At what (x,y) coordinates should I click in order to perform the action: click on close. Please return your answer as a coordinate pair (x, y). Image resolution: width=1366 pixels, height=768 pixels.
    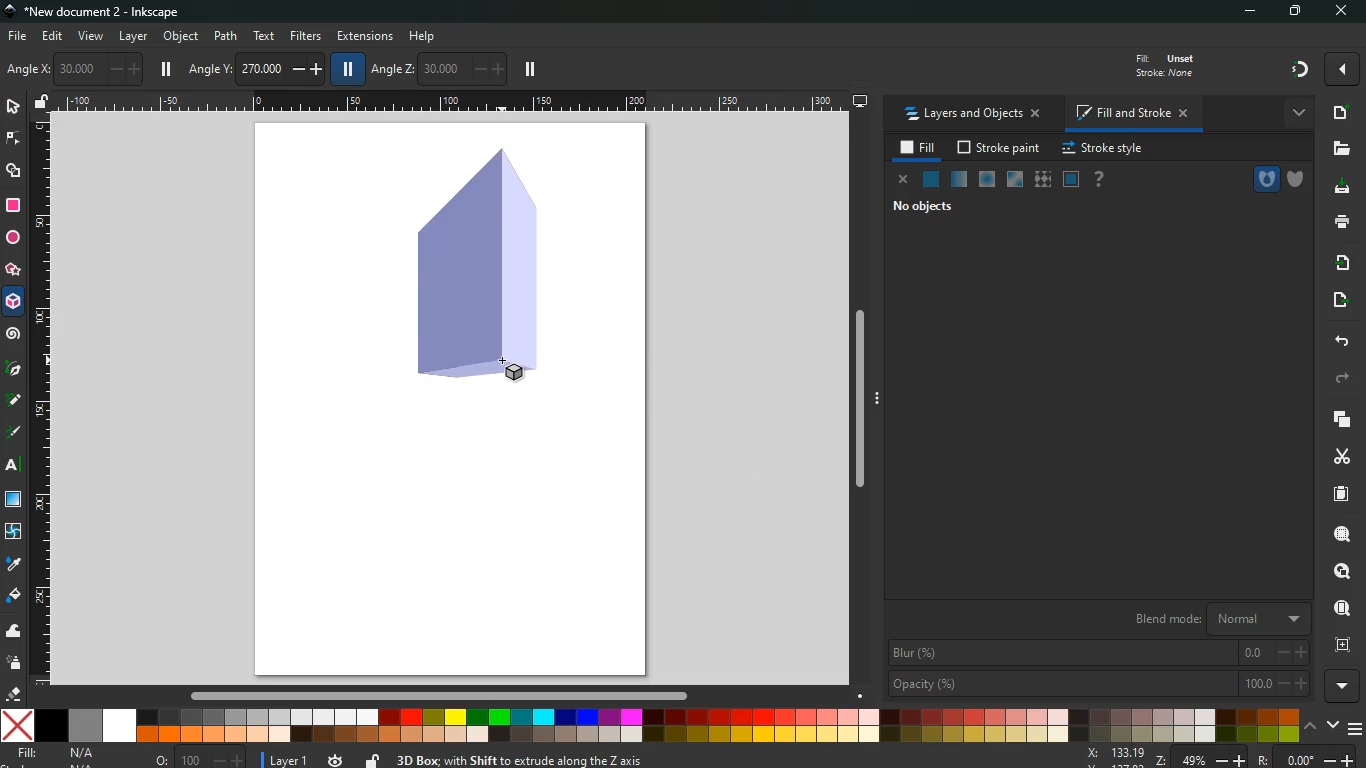
    Looking at the image, I should click on (1340, 12).